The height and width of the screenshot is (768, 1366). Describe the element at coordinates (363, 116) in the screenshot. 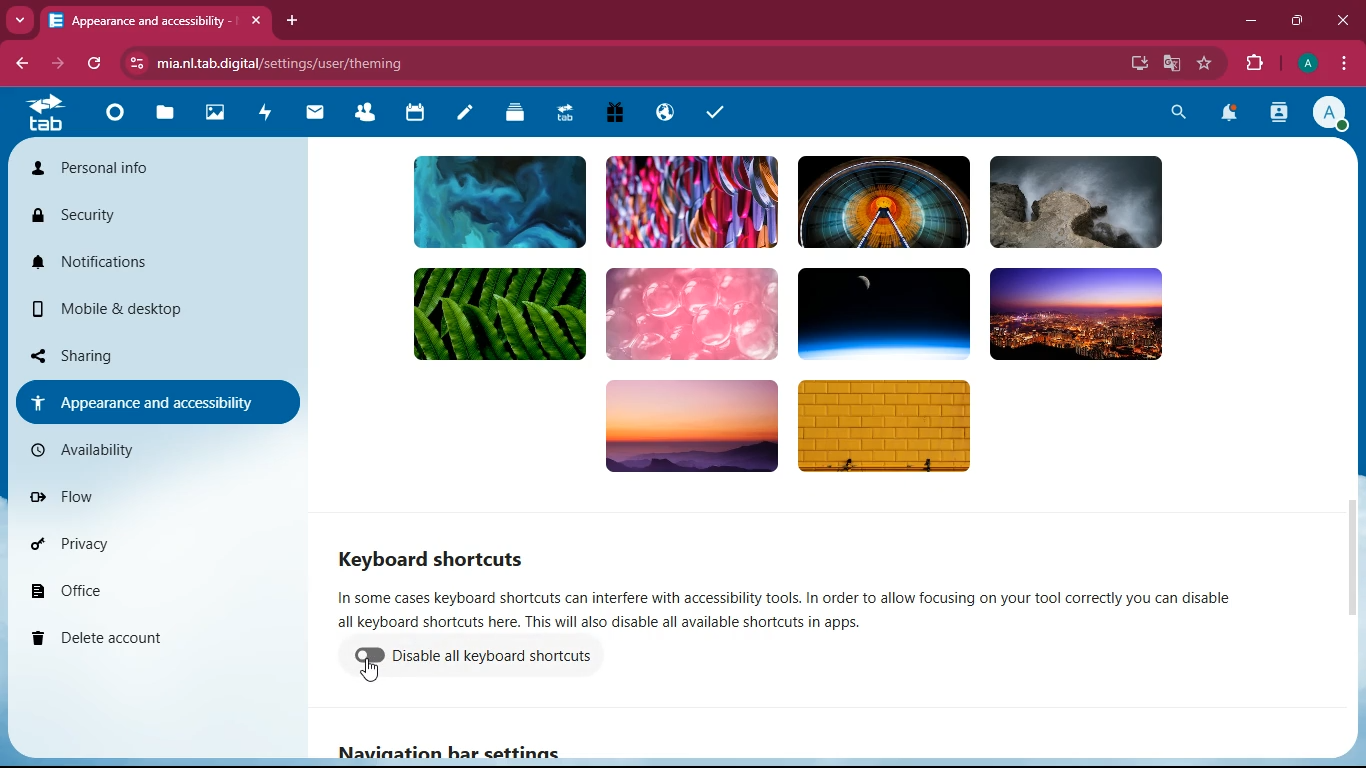

I see `friends` at that location.